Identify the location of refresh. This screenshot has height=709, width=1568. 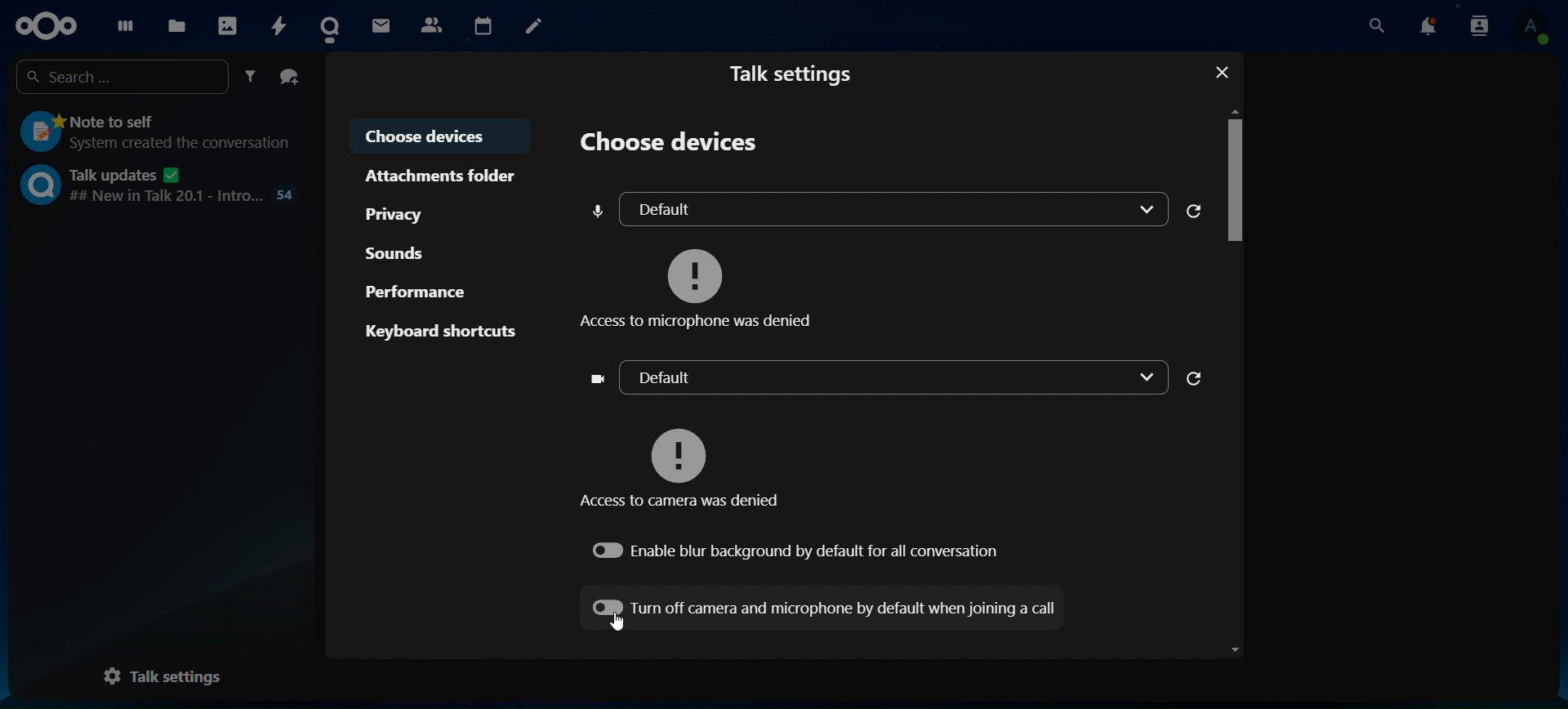
(1200, 379).